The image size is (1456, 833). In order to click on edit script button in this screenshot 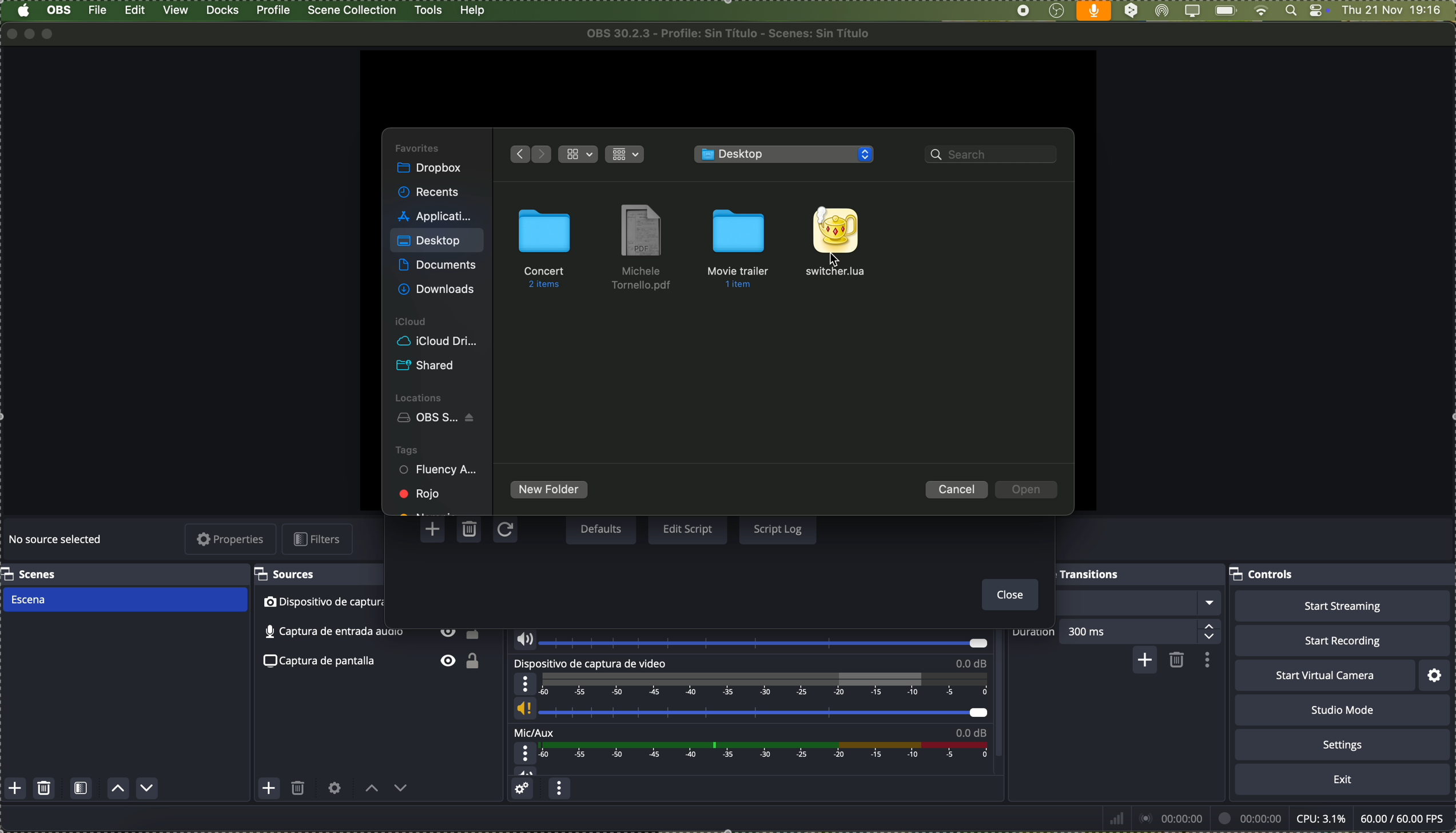, I will do `click(688, 530)`.